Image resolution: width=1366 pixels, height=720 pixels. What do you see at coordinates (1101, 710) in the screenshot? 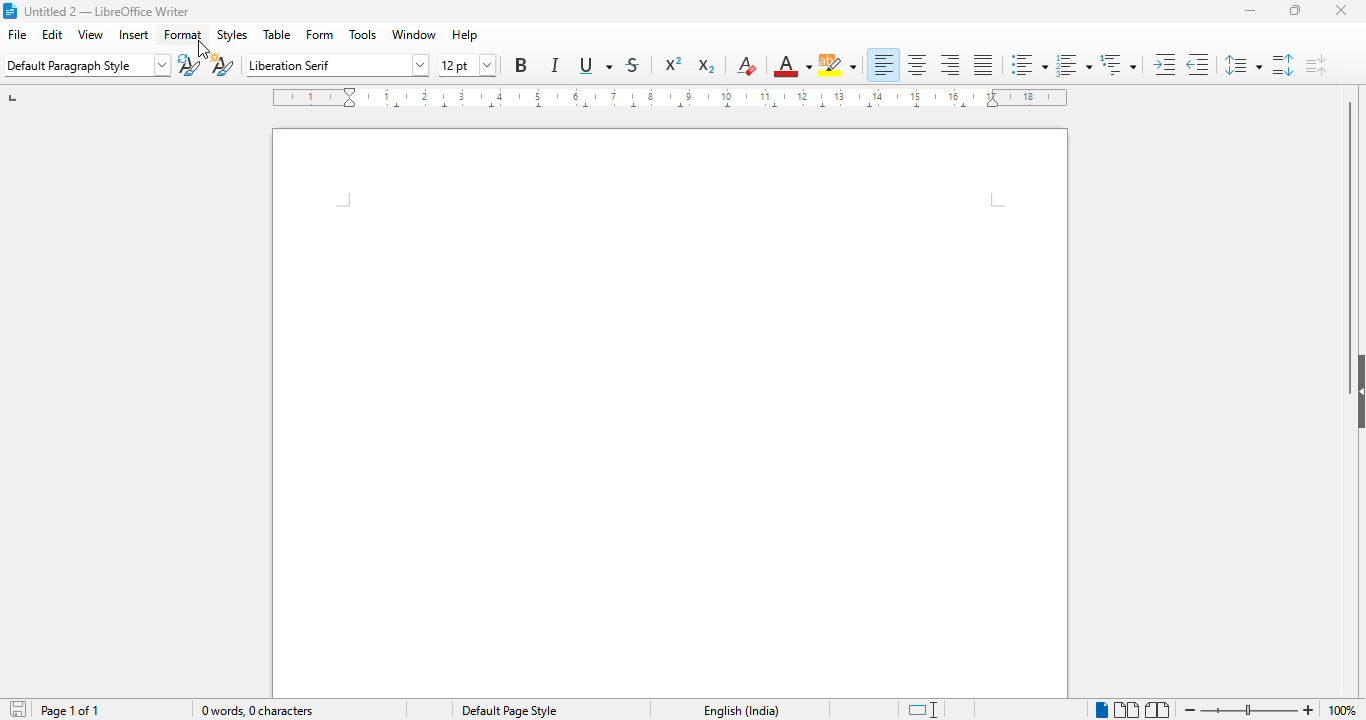
I see `single-page view` at bounding box center [1101, 710].